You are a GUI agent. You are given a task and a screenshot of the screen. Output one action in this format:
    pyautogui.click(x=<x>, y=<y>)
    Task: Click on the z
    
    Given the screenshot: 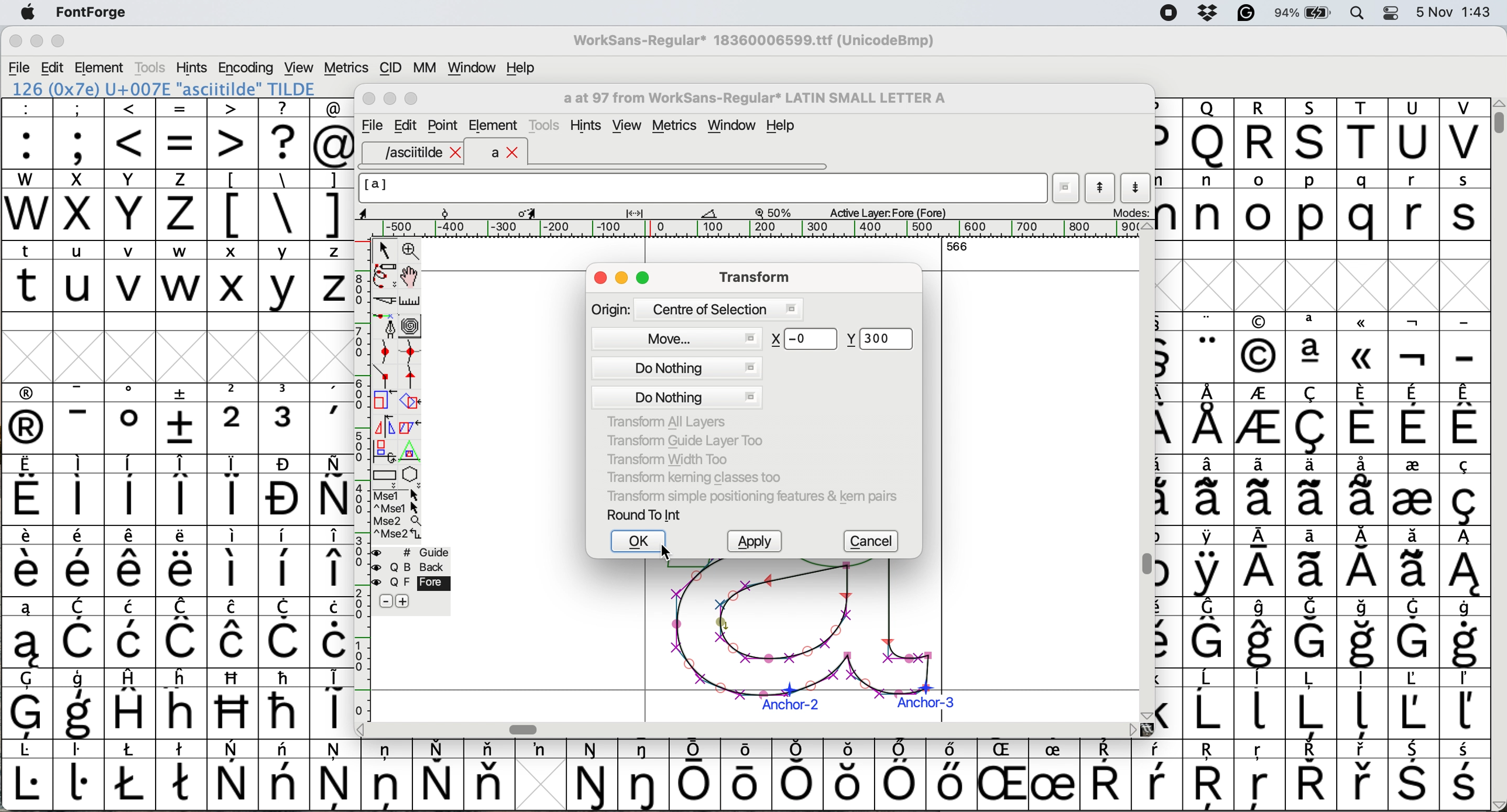 What is the action you would take?
    pyautogui.click(x=181, y=204)
    